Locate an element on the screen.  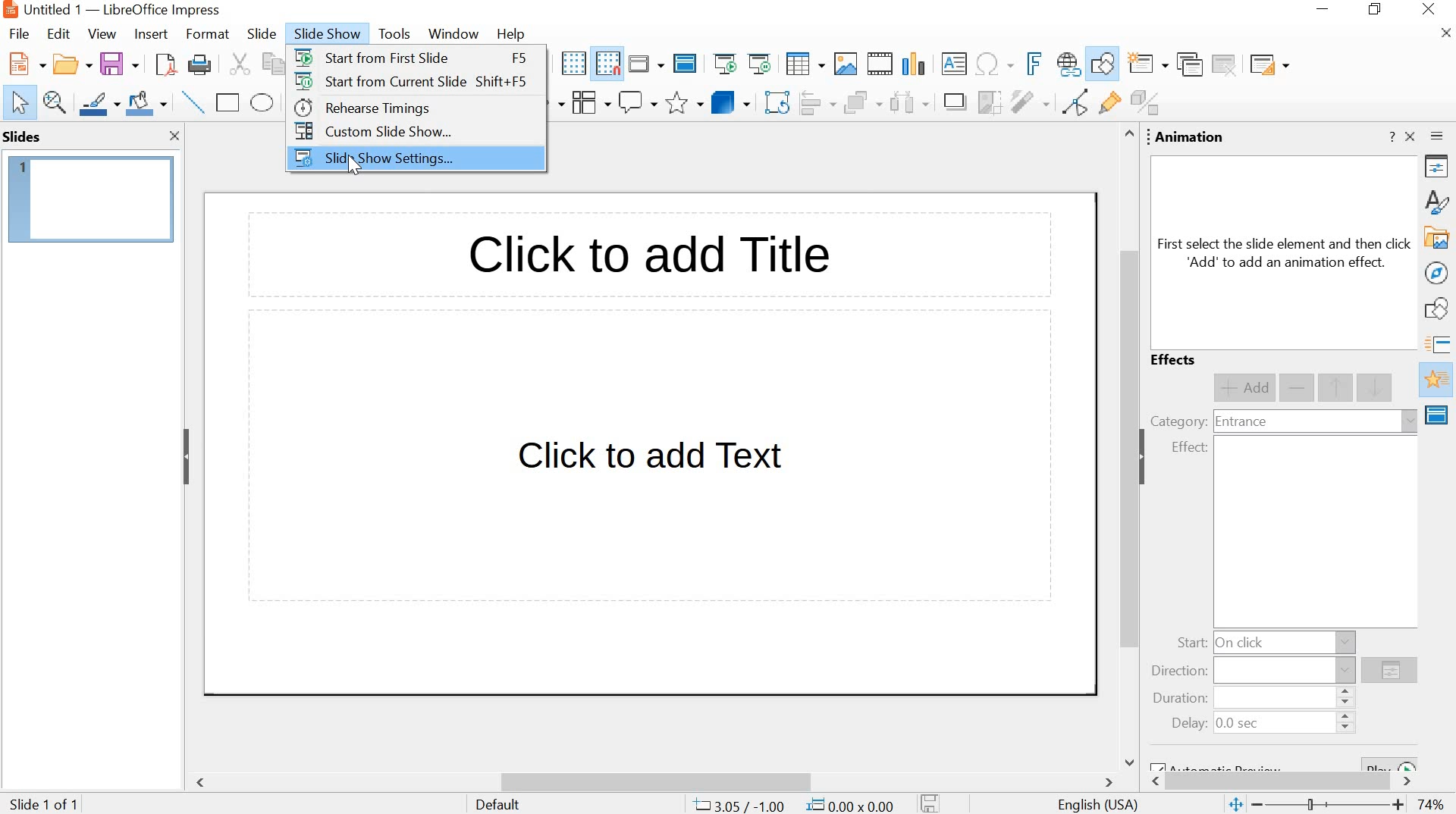
line color is located at coordinates (99, 102).